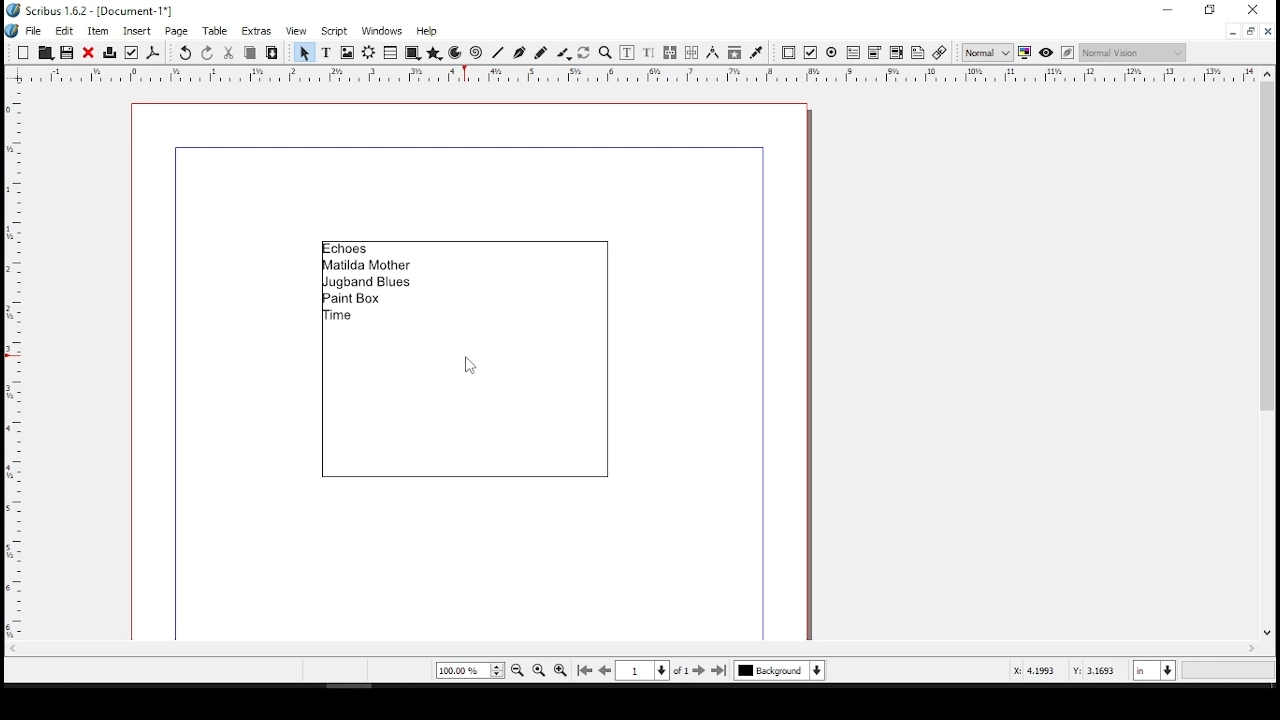  What do you see at coordinates (712, 53) in the screenshot?
I see `measurements` at bounding box center [712, 53].